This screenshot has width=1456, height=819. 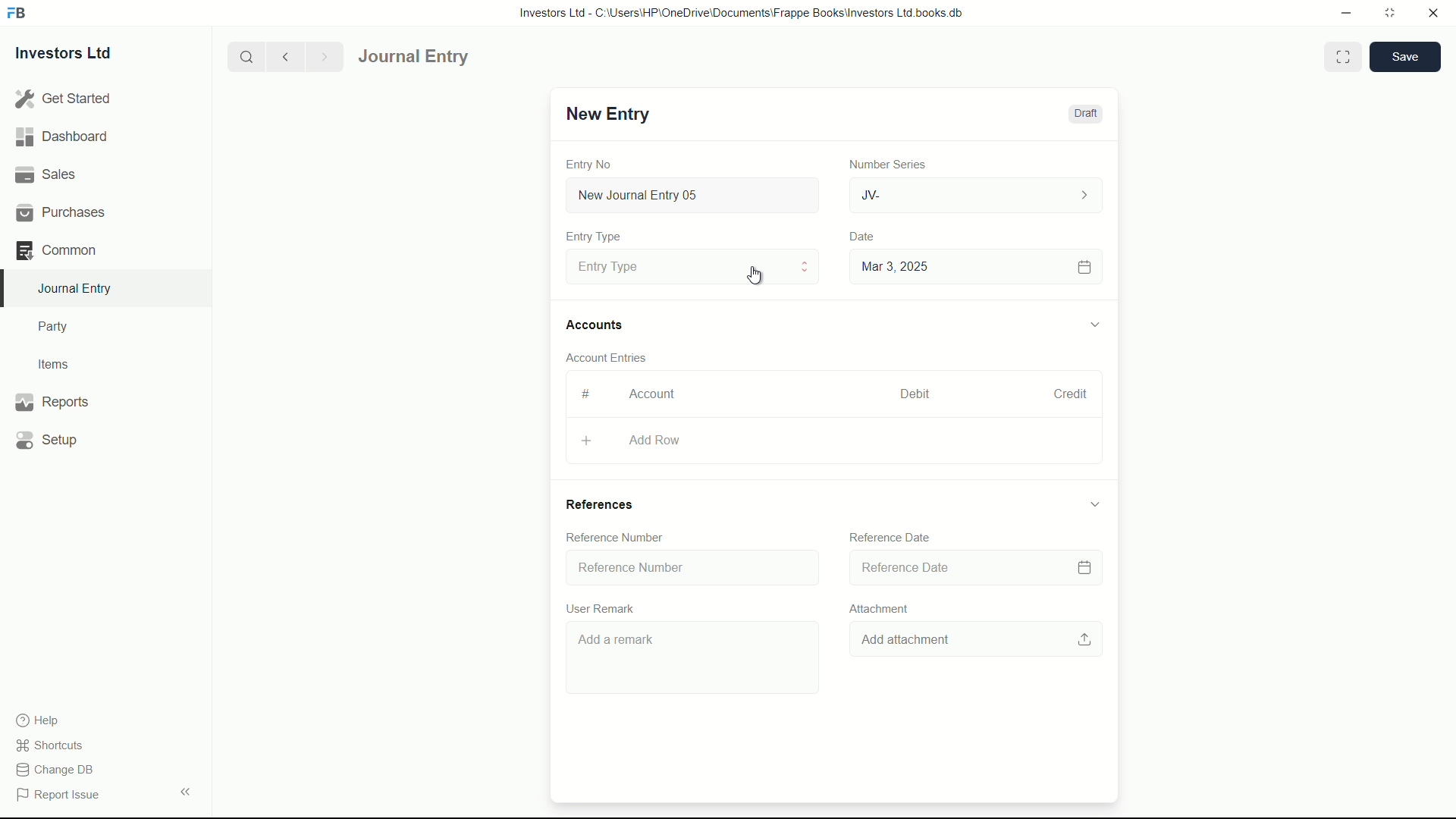 What do you see at coordinates (653, 394) in the screenshot?
I see `Account` at bounding box center [653, 394].